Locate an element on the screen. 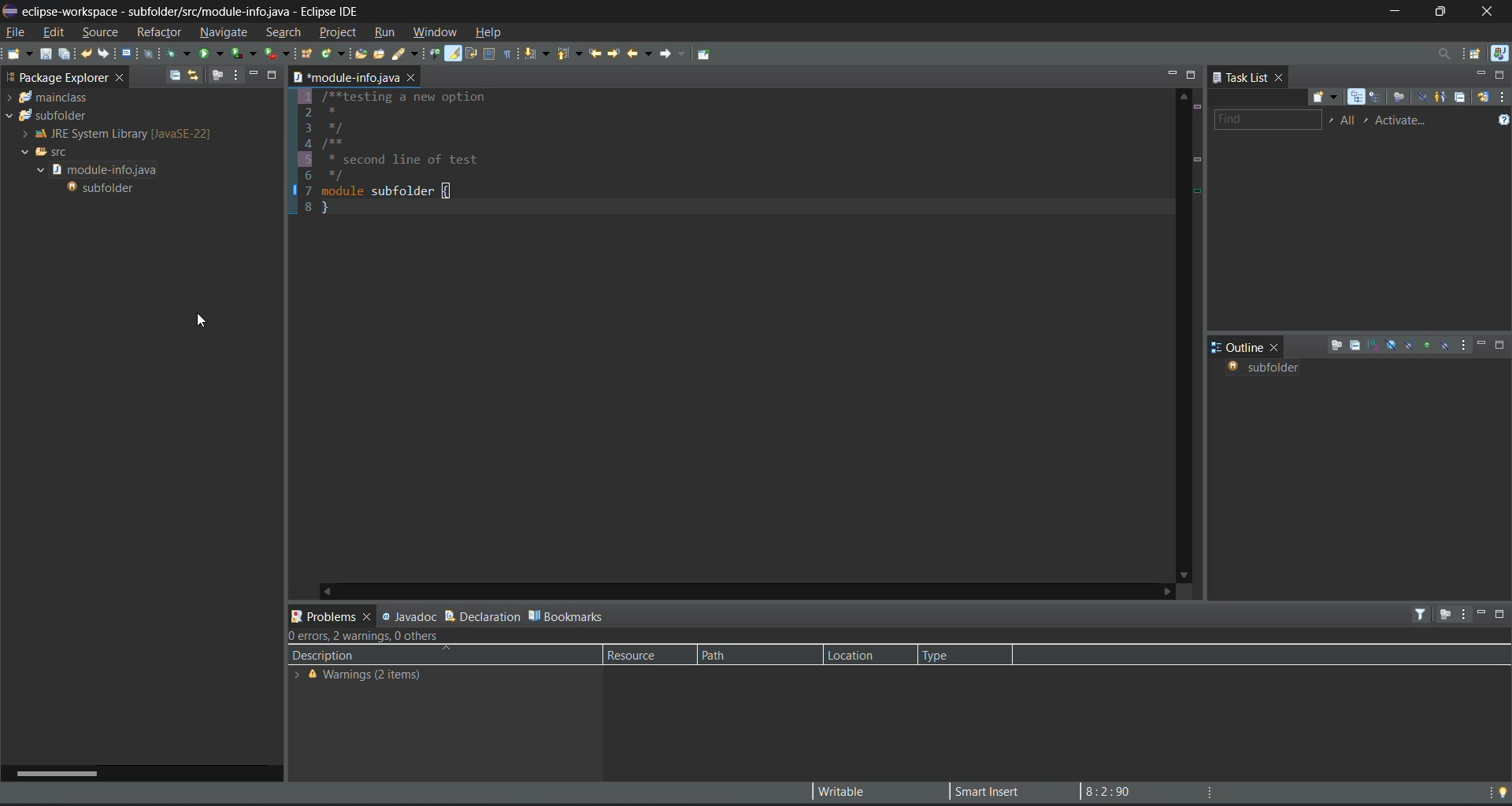  find is located at coordinates (1268, 119).